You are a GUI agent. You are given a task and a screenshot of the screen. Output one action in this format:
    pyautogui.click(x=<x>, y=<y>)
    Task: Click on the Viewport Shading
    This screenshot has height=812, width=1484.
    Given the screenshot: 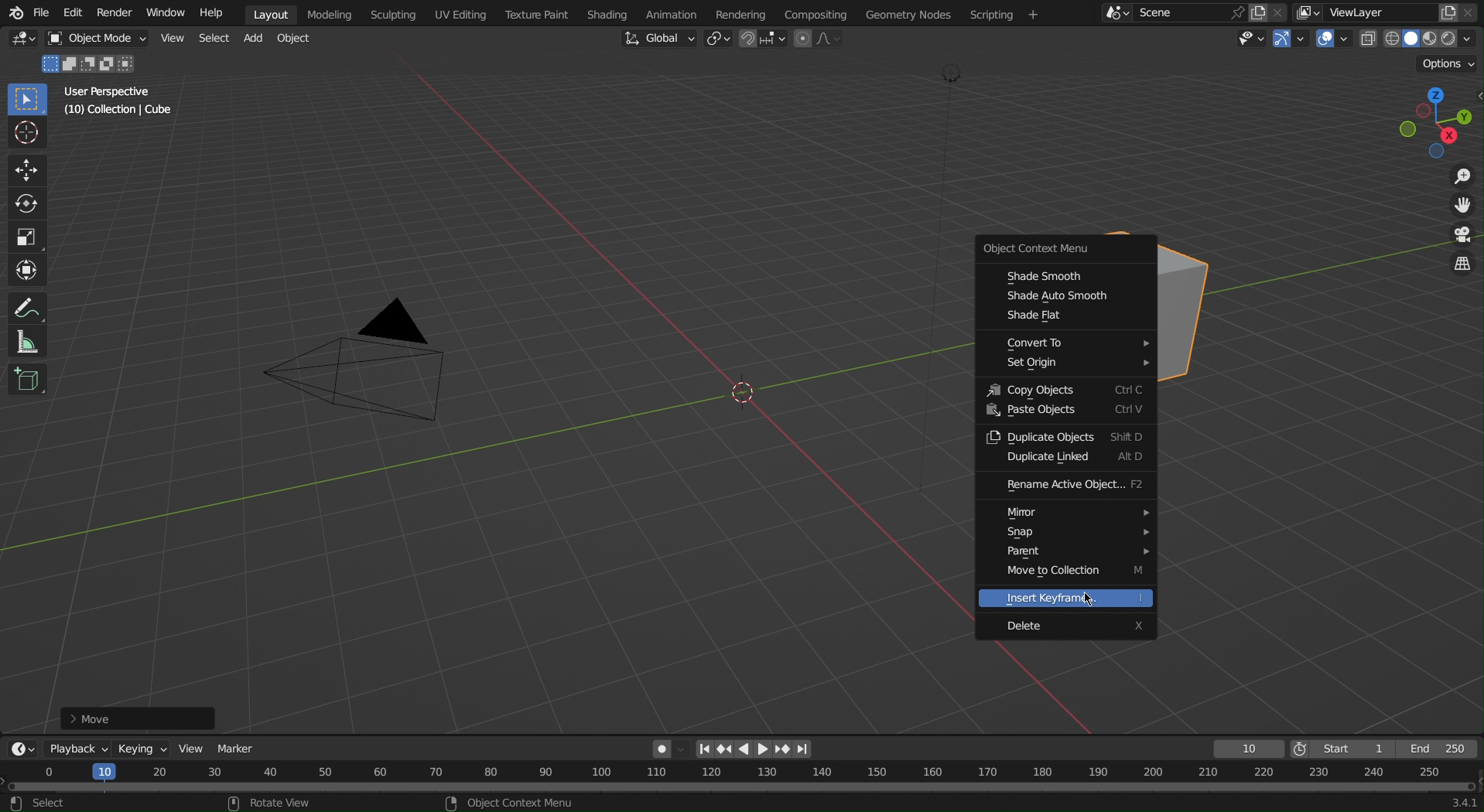 What is the action you would take?
    pyautogui.click(x=1420, y=39)
    